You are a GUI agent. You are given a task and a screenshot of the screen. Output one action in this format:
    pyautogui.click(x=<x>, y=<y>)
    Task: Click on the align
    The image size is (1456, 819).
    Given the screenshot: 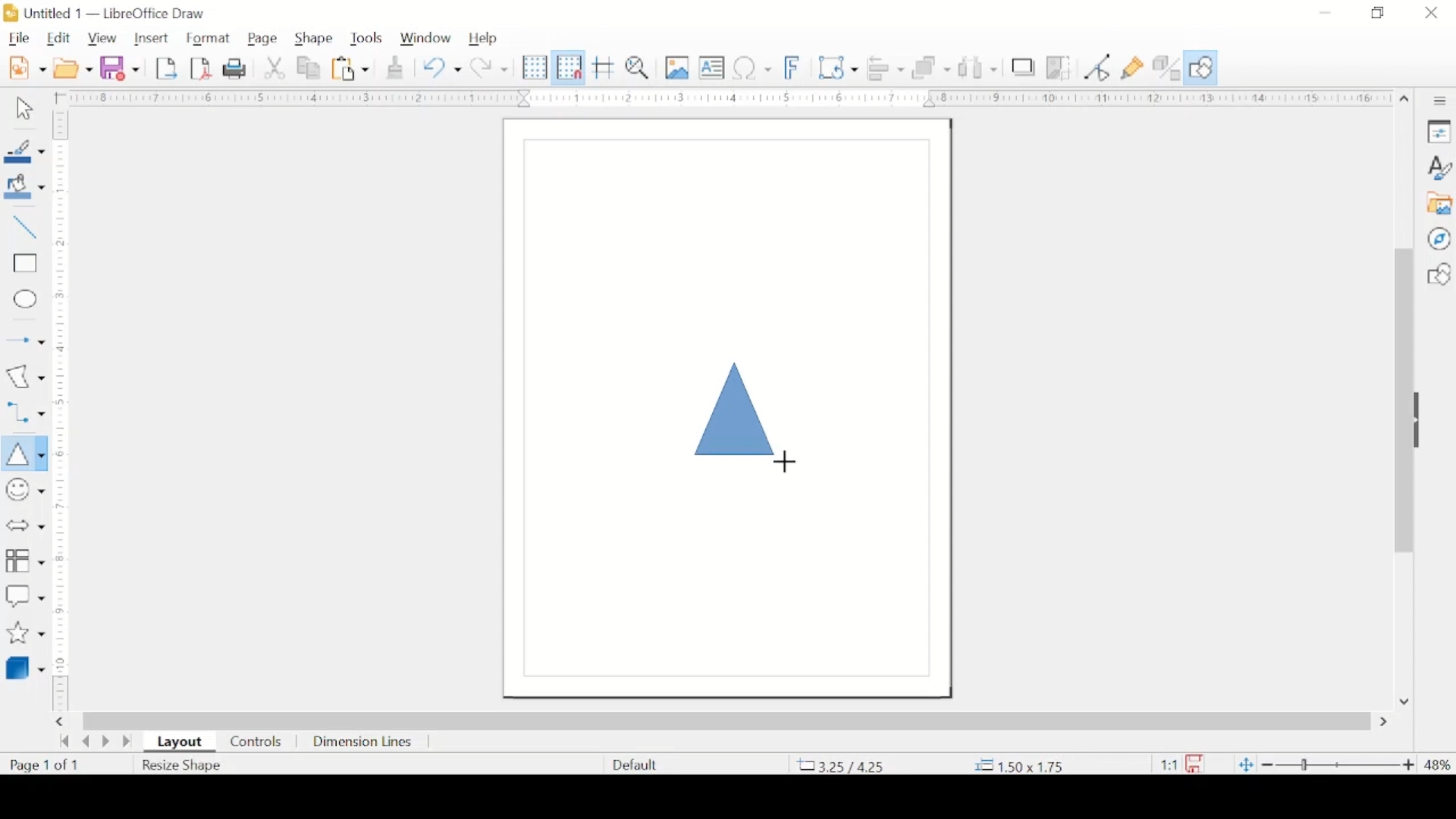 What is the action you would take?
    pyautogui.click(x=887, y=67)
    